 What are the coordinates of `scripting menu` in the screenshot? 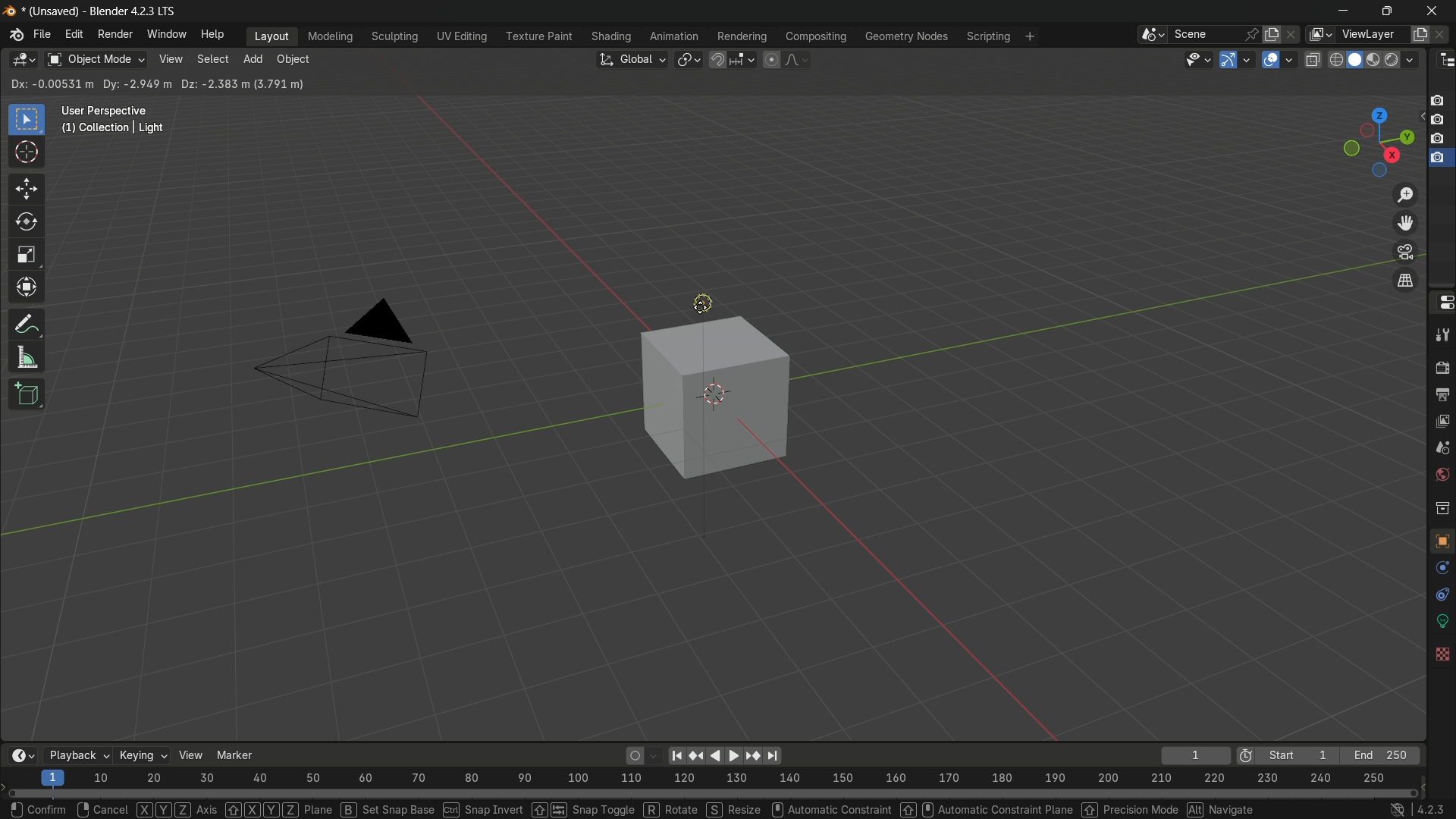 It's located at (990, 37).